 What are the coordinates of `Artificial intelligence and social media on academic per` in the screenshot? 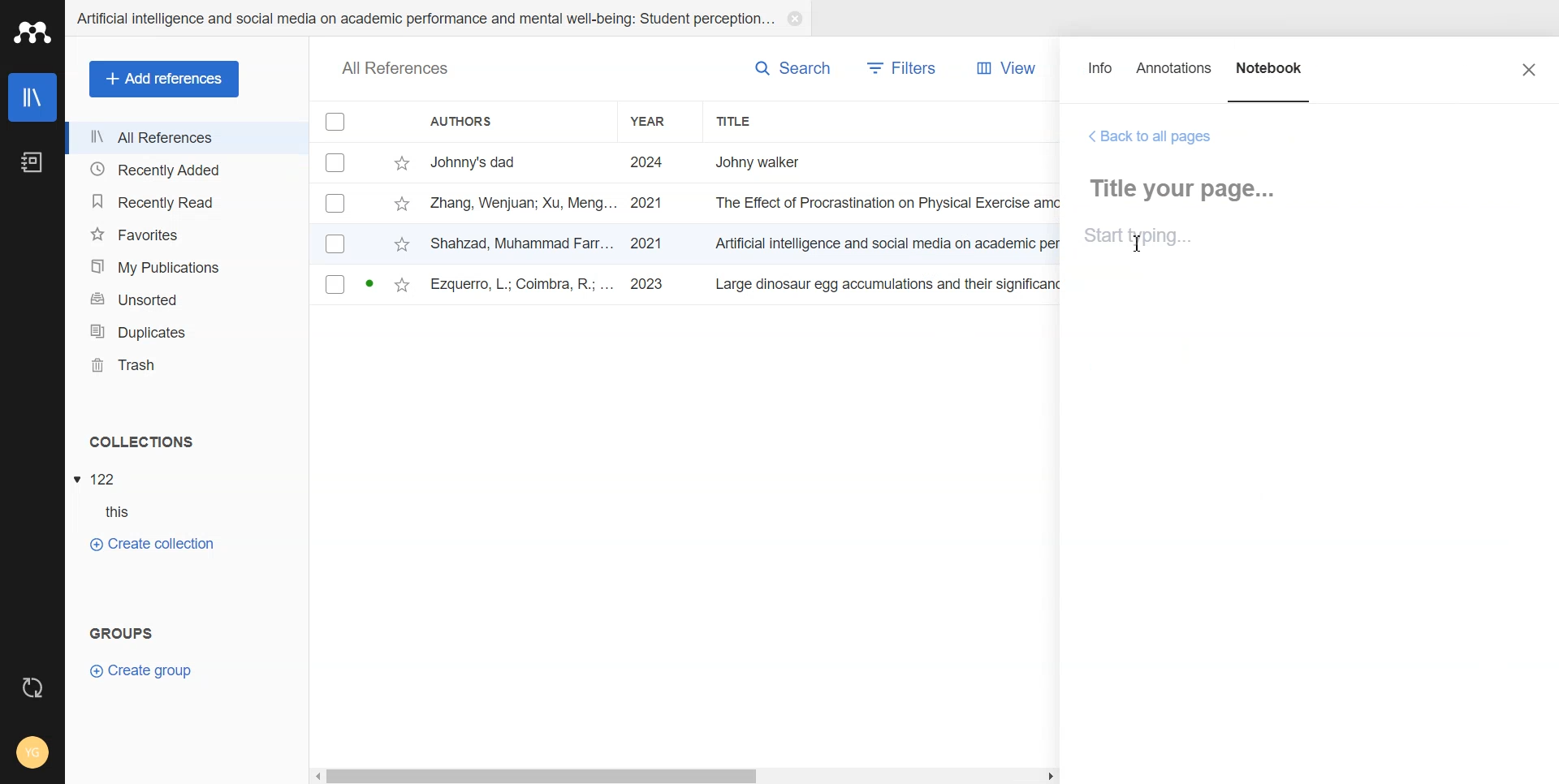 It's located at (890, 241).